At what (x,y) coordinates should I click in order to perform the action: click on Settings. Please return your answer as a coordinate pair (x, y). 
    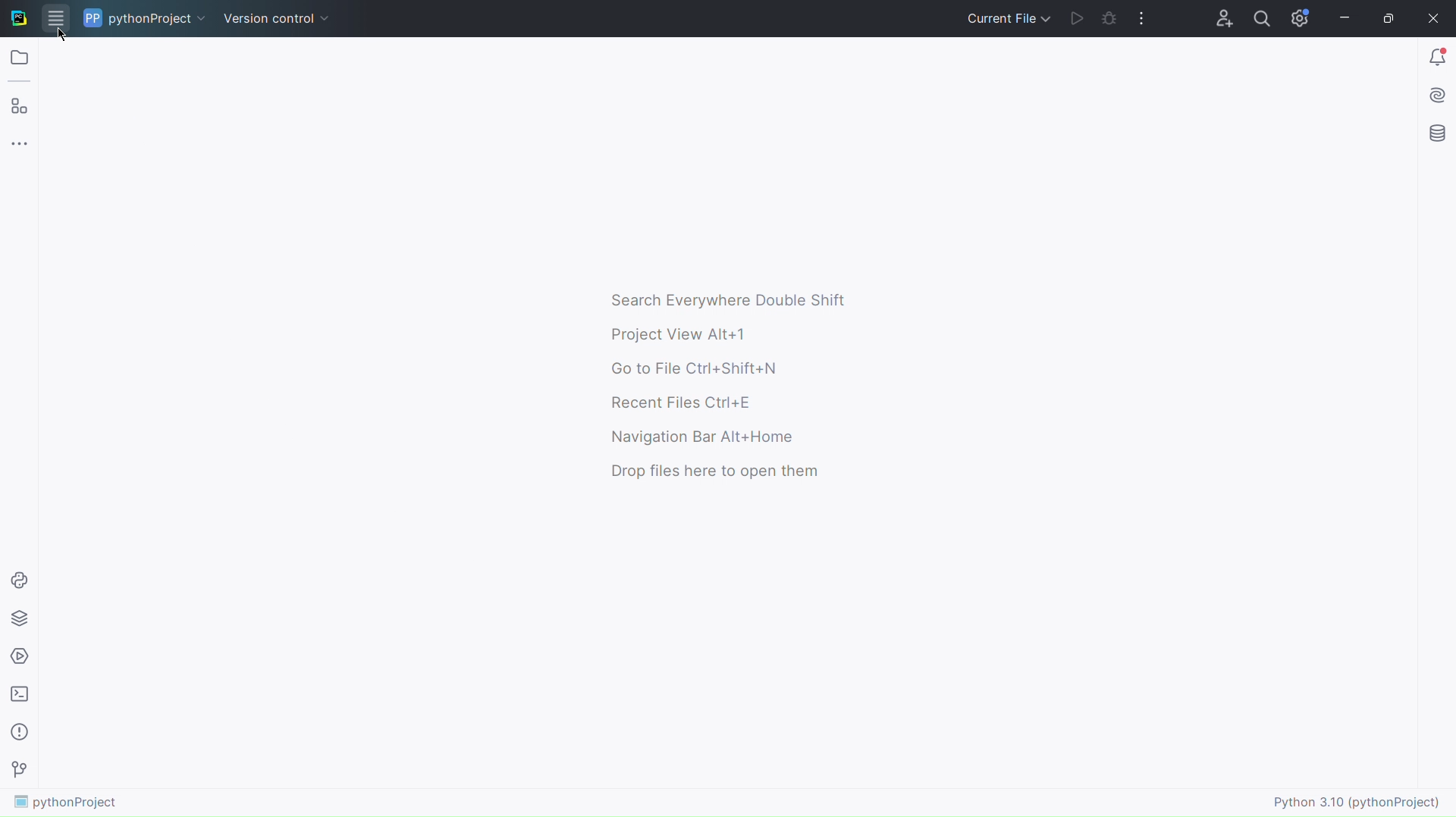
    Looking at the image, I should click on (1299, 17).